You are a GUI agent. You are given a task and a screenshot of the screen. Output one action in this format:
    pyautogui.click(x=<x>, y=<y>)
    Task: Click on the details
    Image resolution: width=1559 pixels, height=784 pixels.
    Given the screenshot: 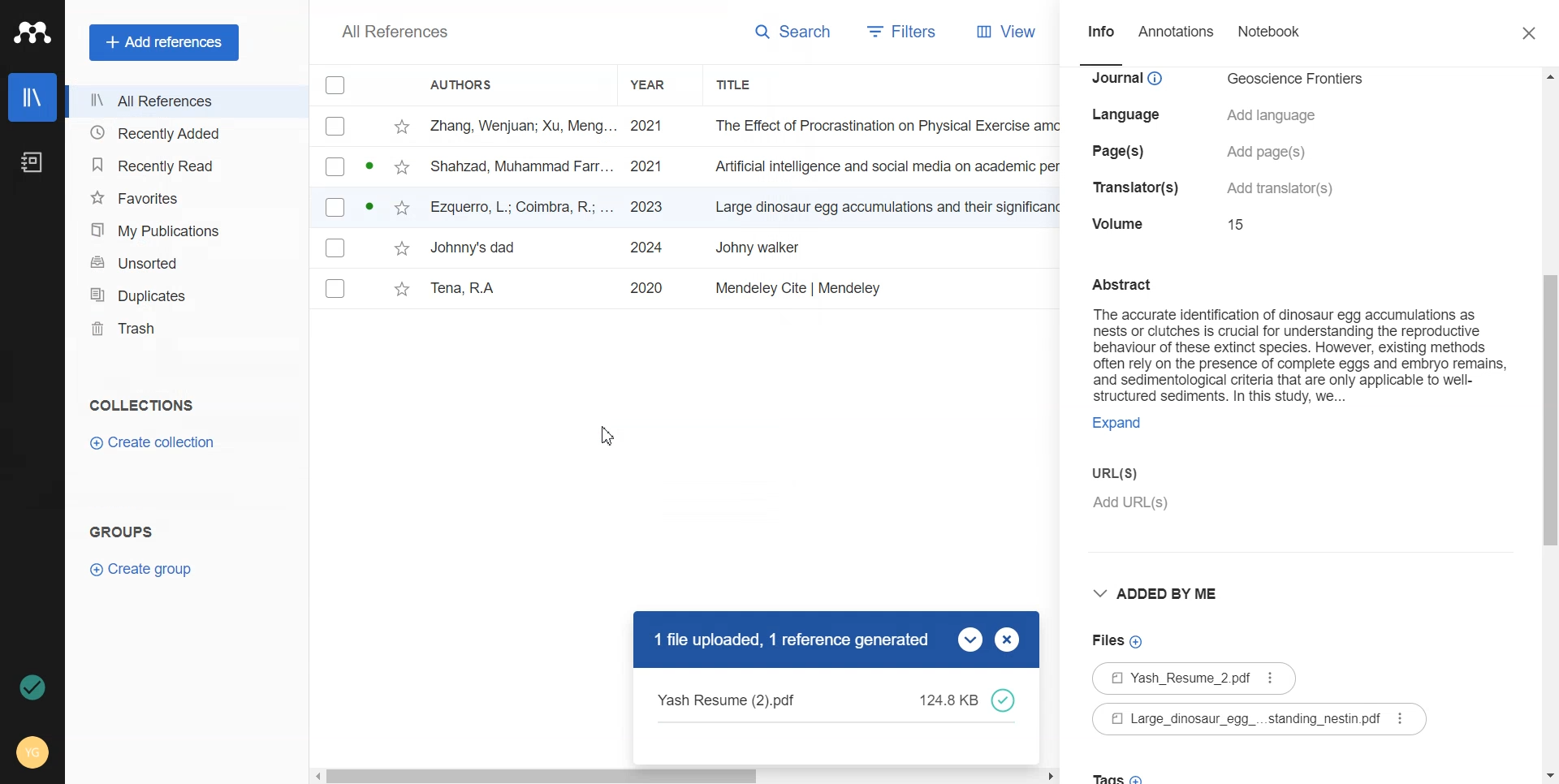 What is the action you would take?
    pyautogui.click(x=1132, y=115)
    